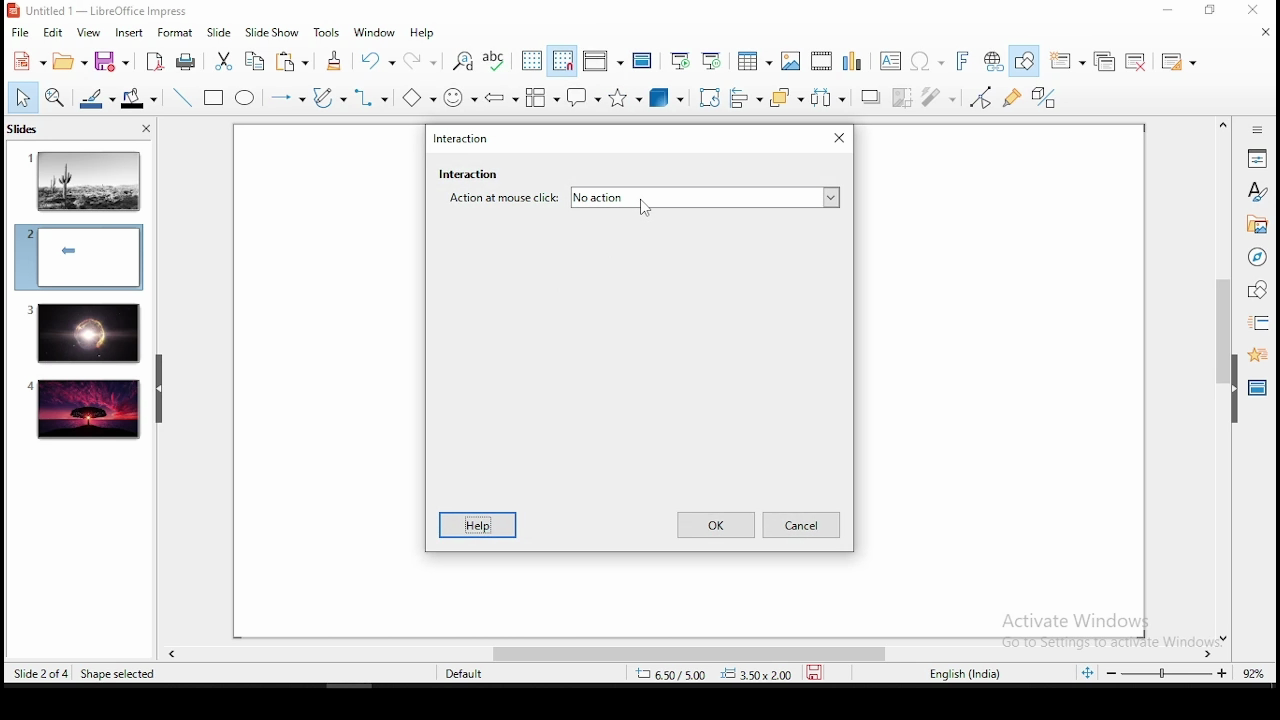 The width and height of the screenshot is (1280, 720). Describe the element at coordinates (1256, 259) in the screenshot. I see `navigator` at that location.